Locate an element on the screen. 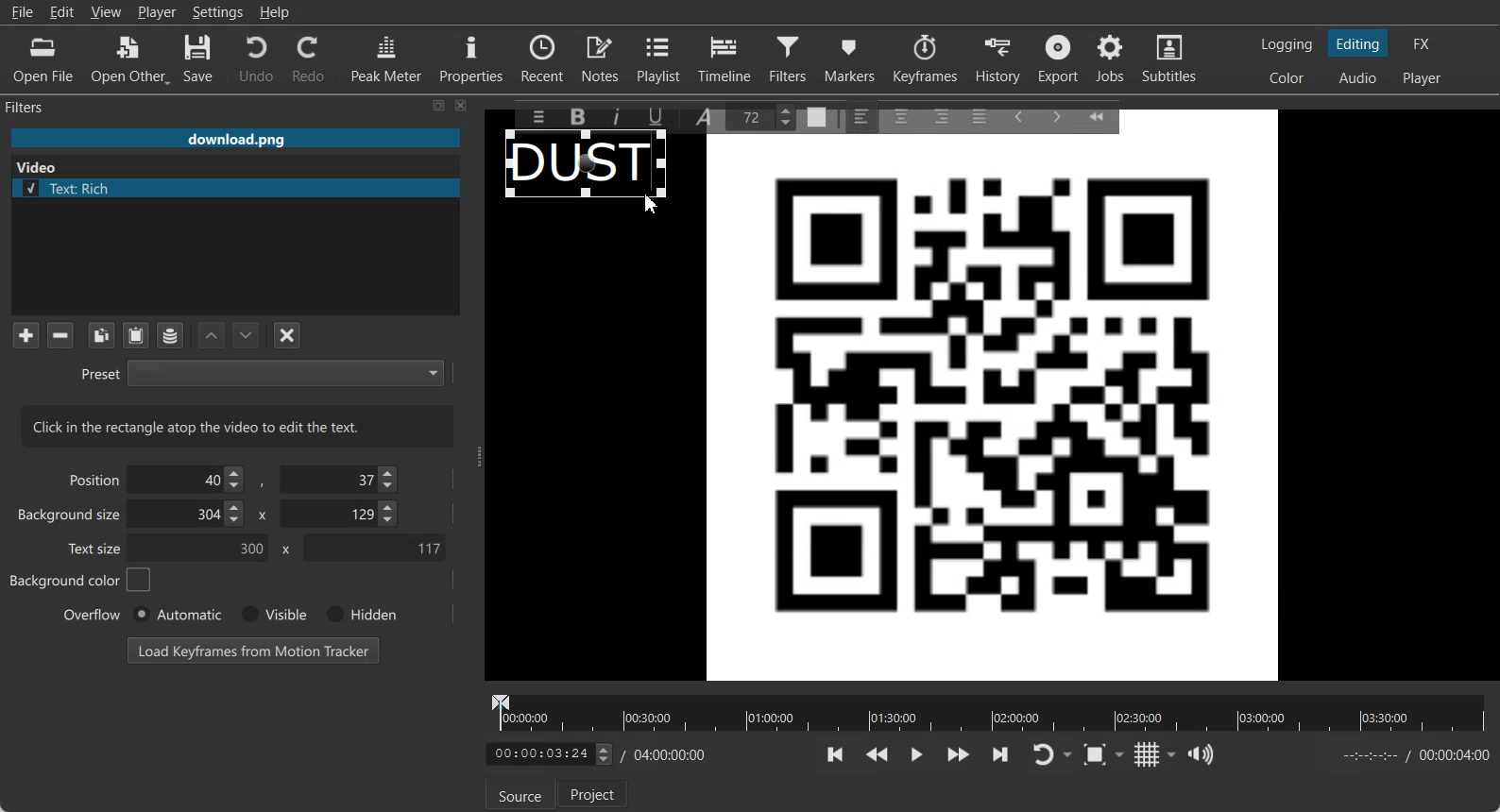 This screenshot has height=812, width=1500. Move Filter Down is located at coordinates (247, 335).